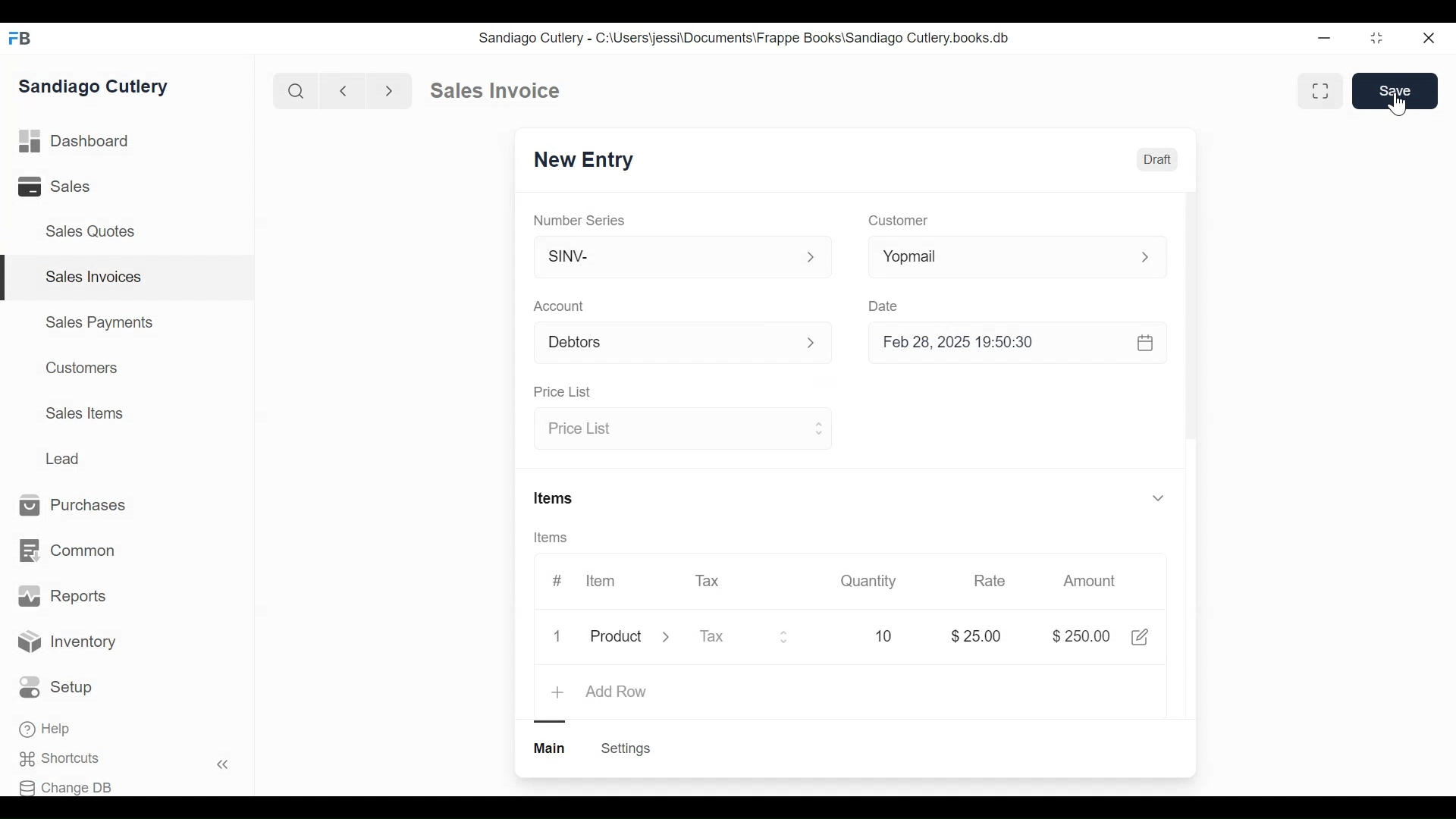 The image size is (1456, 819). I want to click on Sandiago Cutlery - C:\Users\jessi\Documents\Frappe Books\Sandiago Cutlery.books.db, so click(742, 37).